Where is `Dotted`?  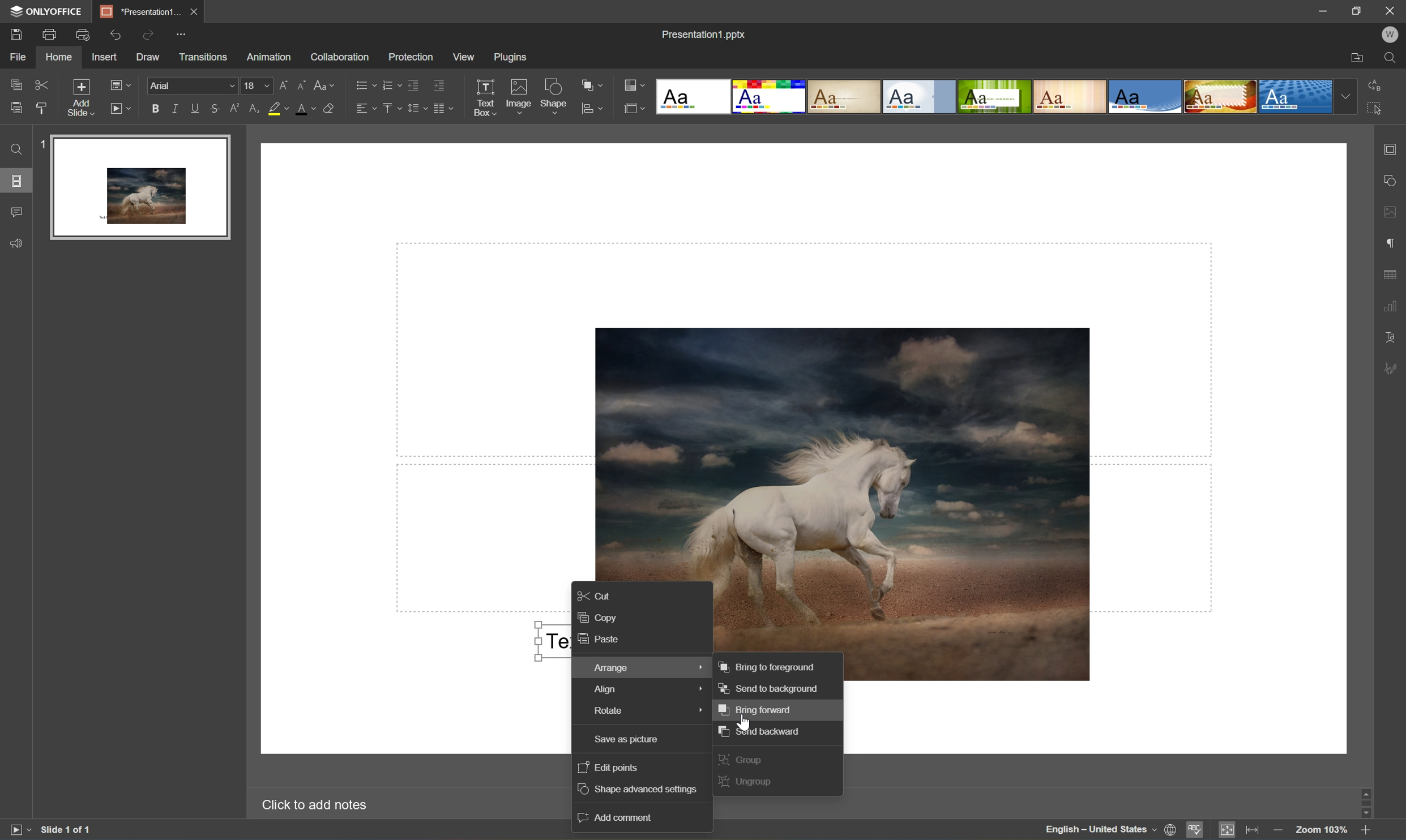 Dotted is located at coordinates (1295, 98).